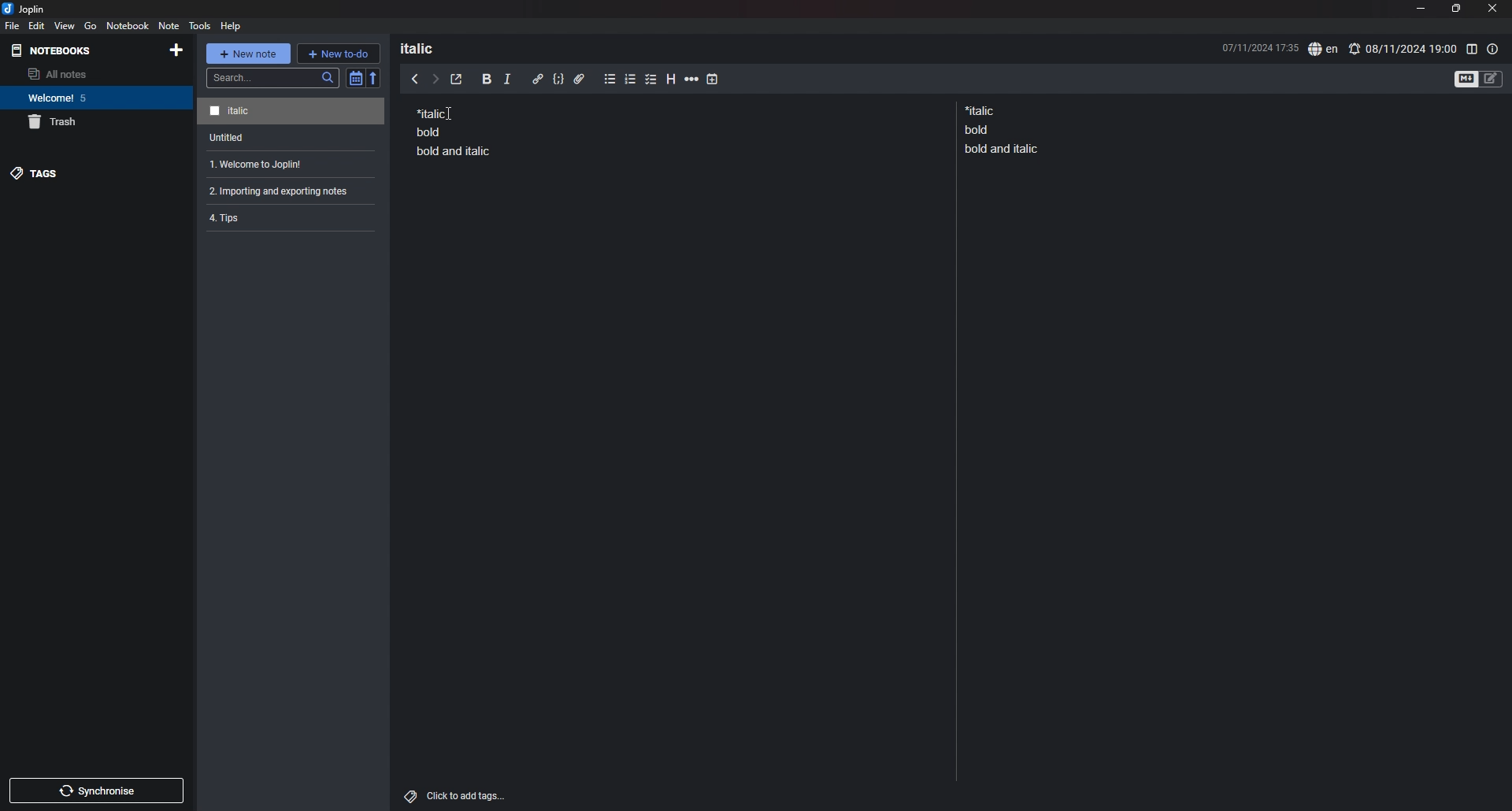 The width and height of the screenshot is (1512, 811). Describe the element at coordinates (1494, 8) in the screenshot. I see `close` at that location.